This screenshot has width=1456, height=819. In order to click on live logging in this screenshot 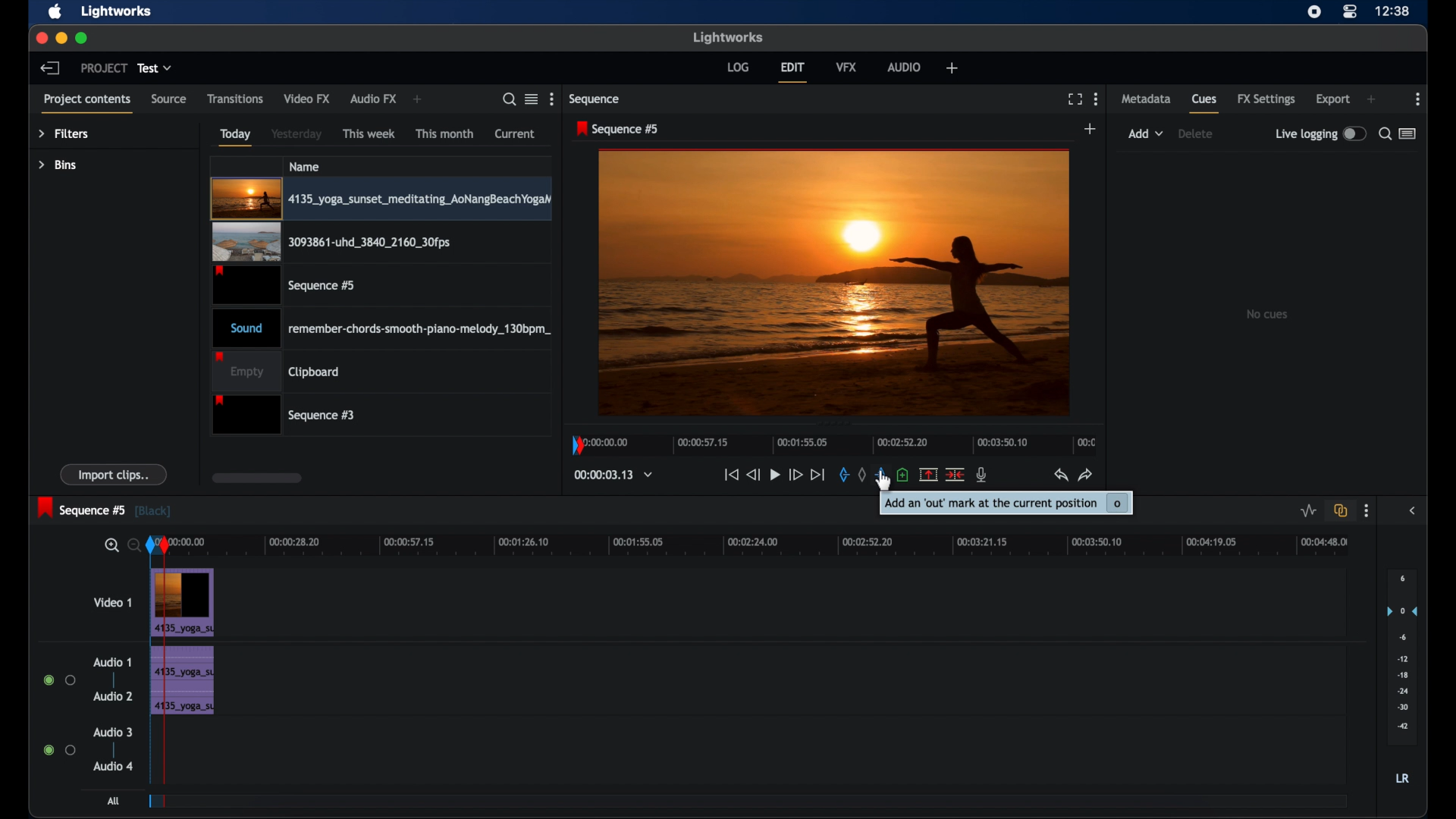, I will do `click(1319, 133)`.